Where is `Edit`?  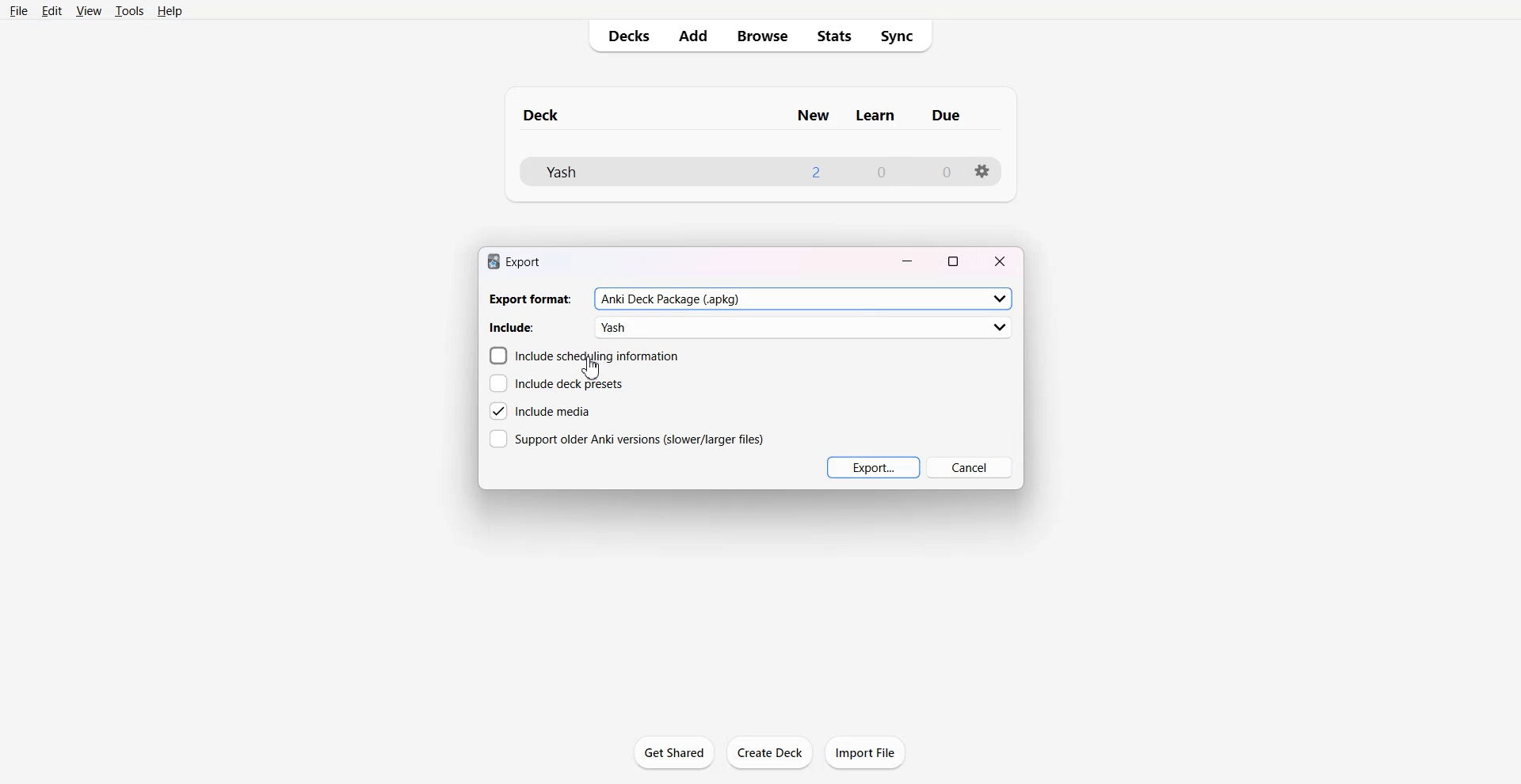
Edit is located at coordinates (54, 11).